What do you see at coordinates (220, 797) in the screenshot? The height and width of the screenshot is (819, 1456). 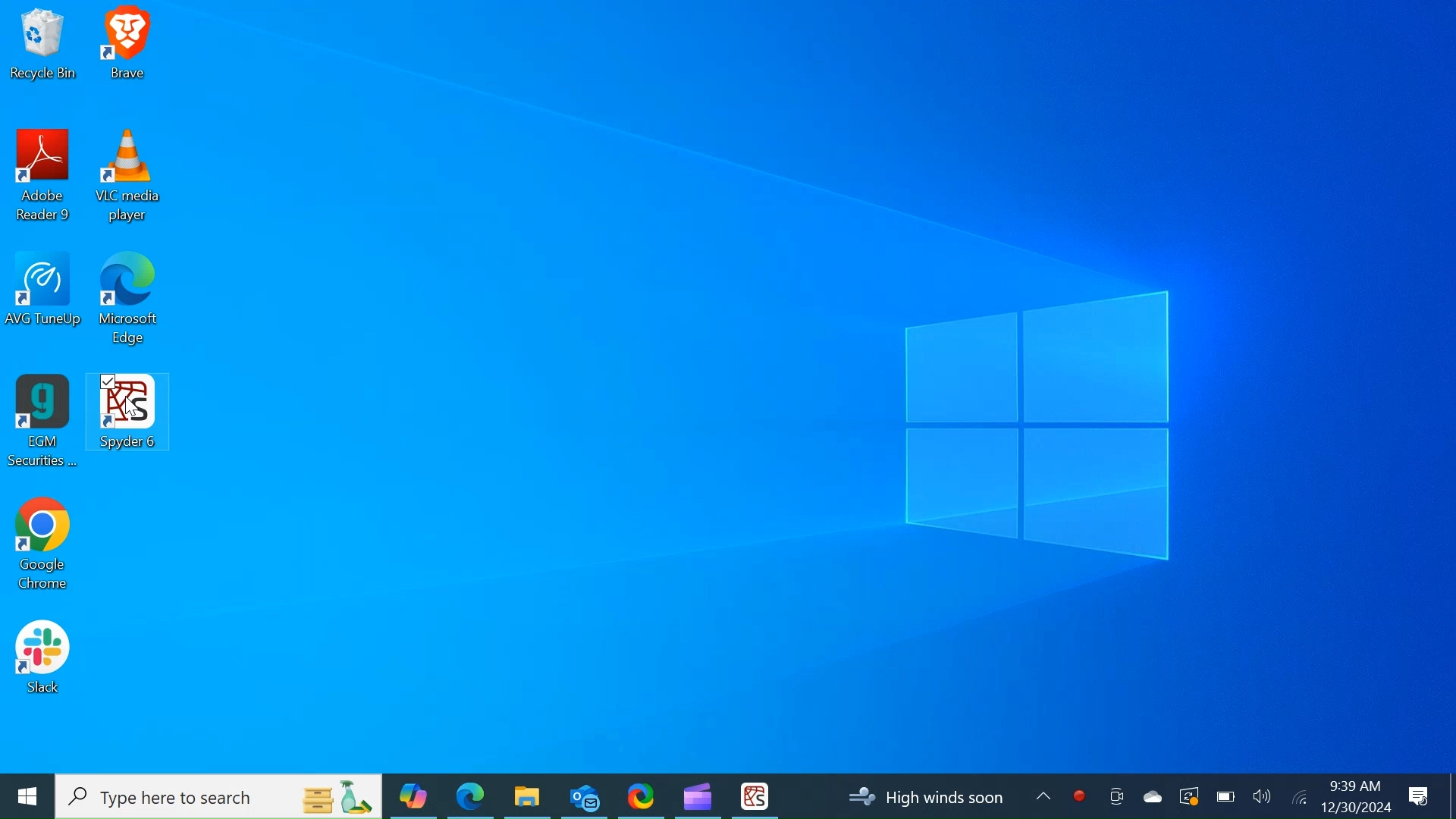 I see `type here to  Search` at bounding box center [220, 797].